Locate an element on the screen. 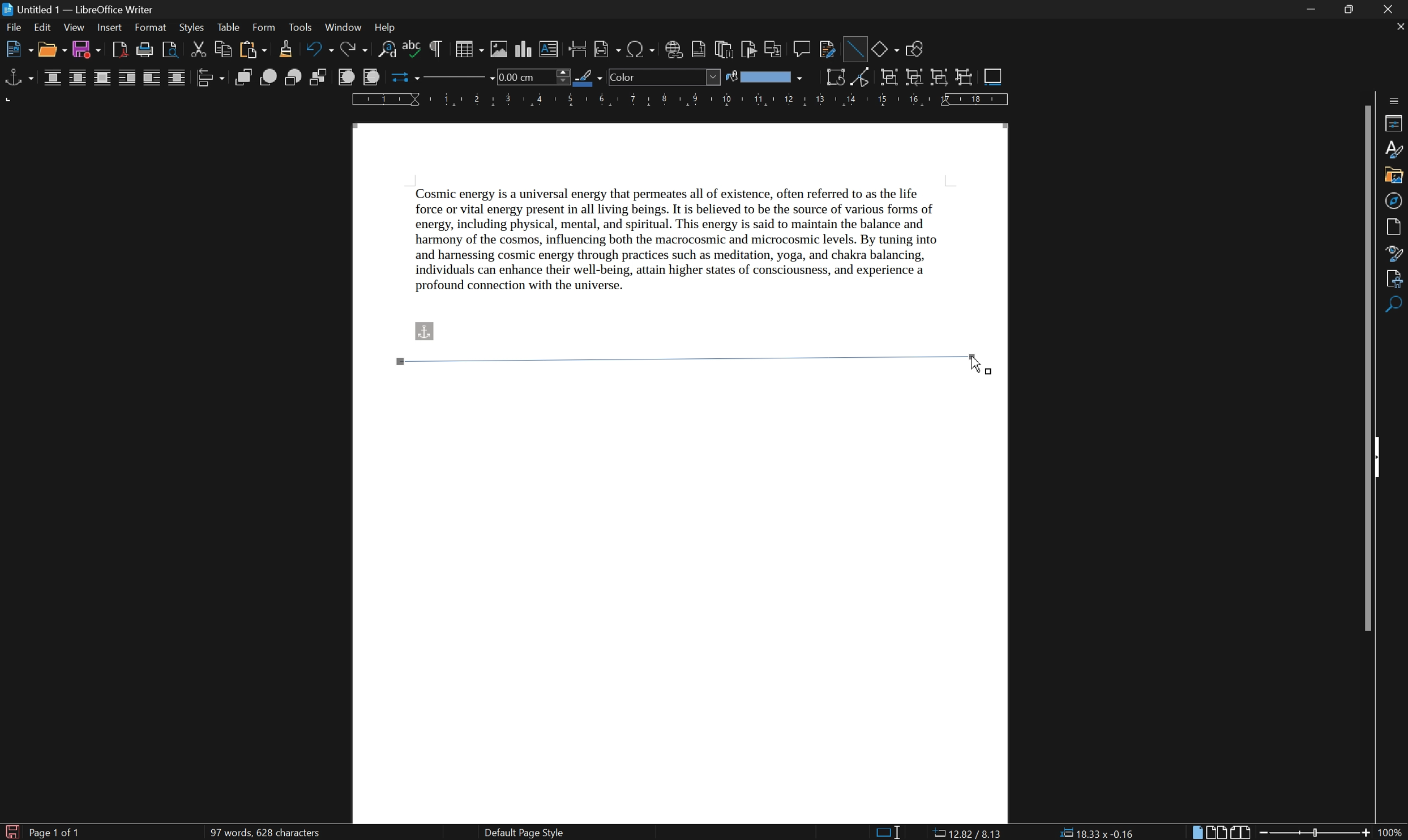 This screenshot has width=1408, height=840. Symbol is located at coordinates (425, 332).